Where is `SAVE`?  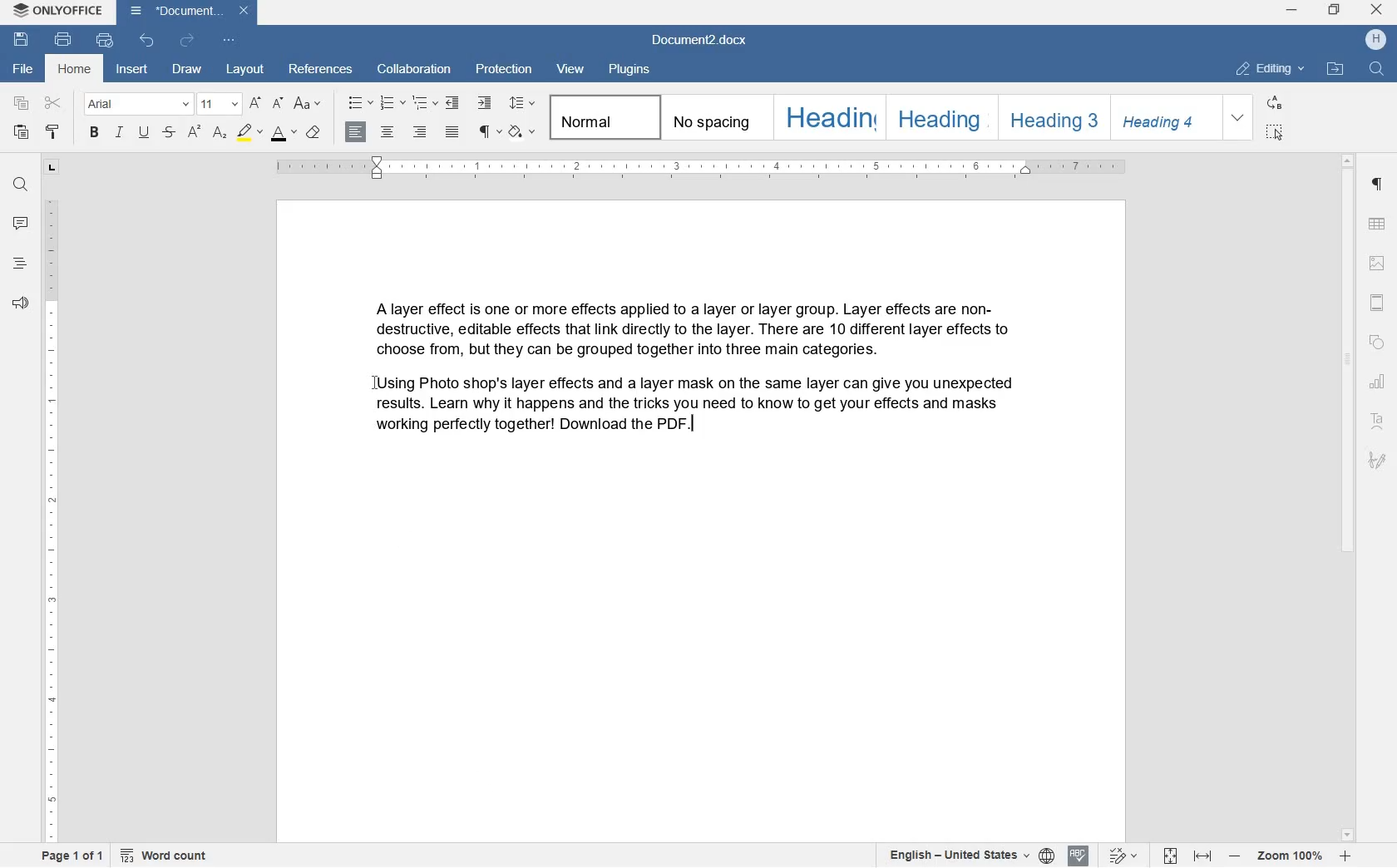 SAVE is located at coordinates (23, 42).